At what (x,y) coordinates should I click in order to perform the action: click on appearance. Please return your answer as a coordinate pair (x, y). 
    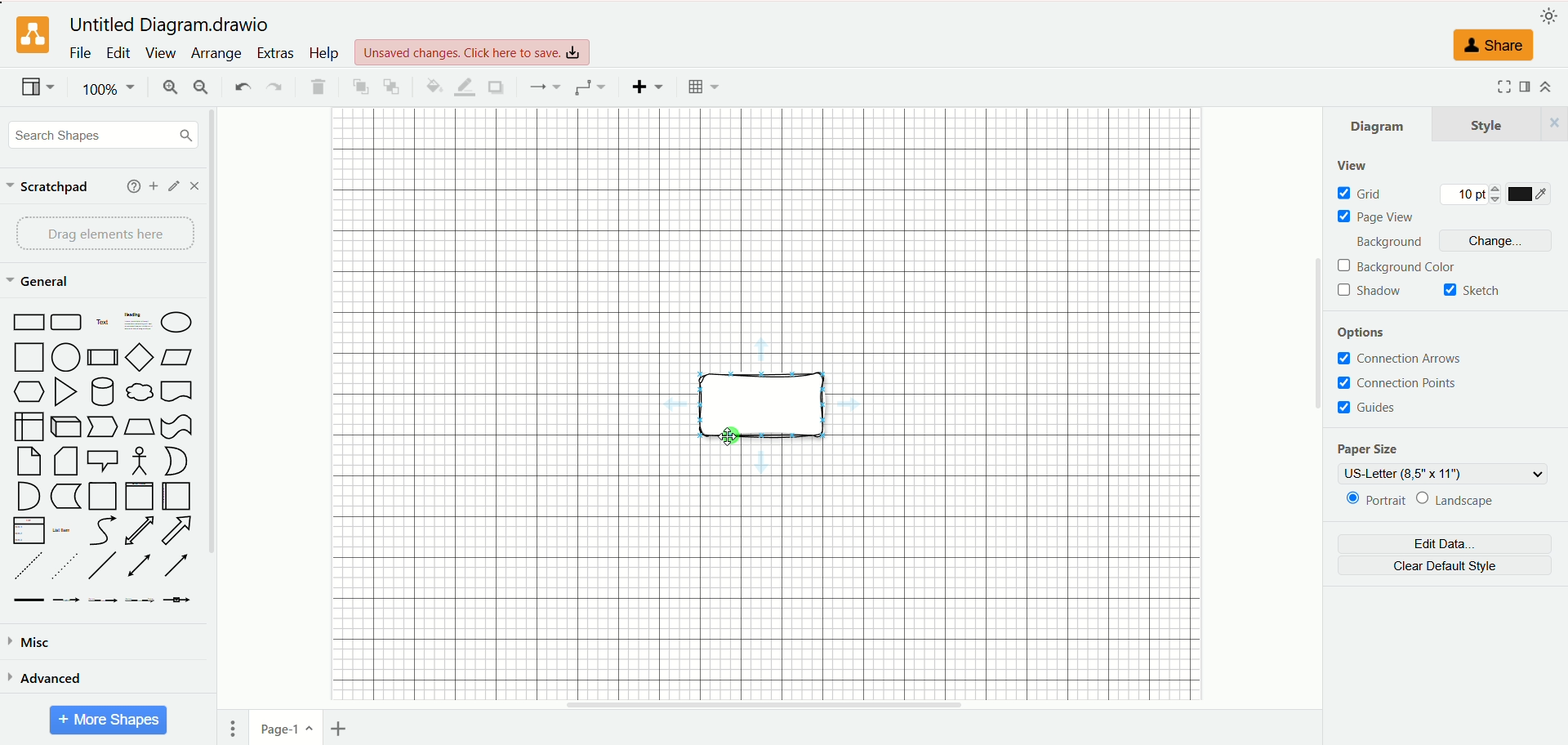
    Looking at the image, I should click on (1549, 14).